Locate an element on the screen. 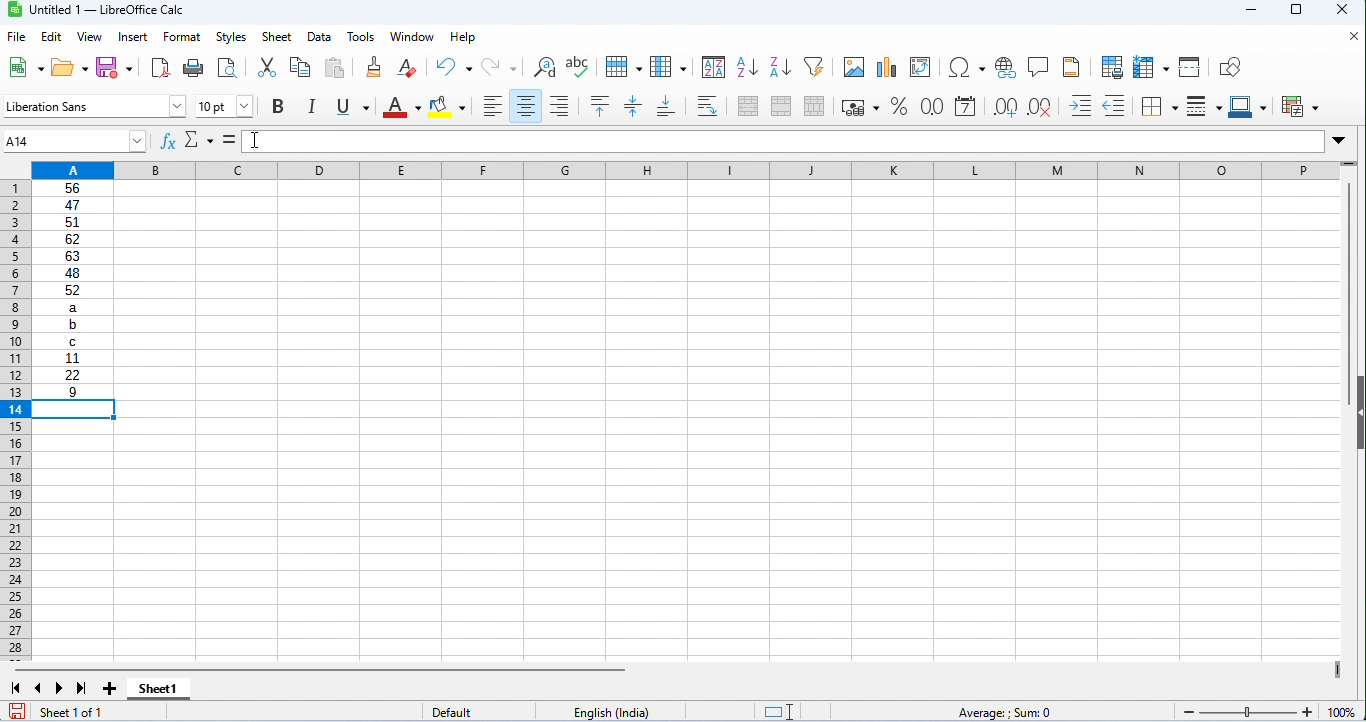 This screenshot has height=722, width=1366. selected cell is located at coordinates (73, 409).